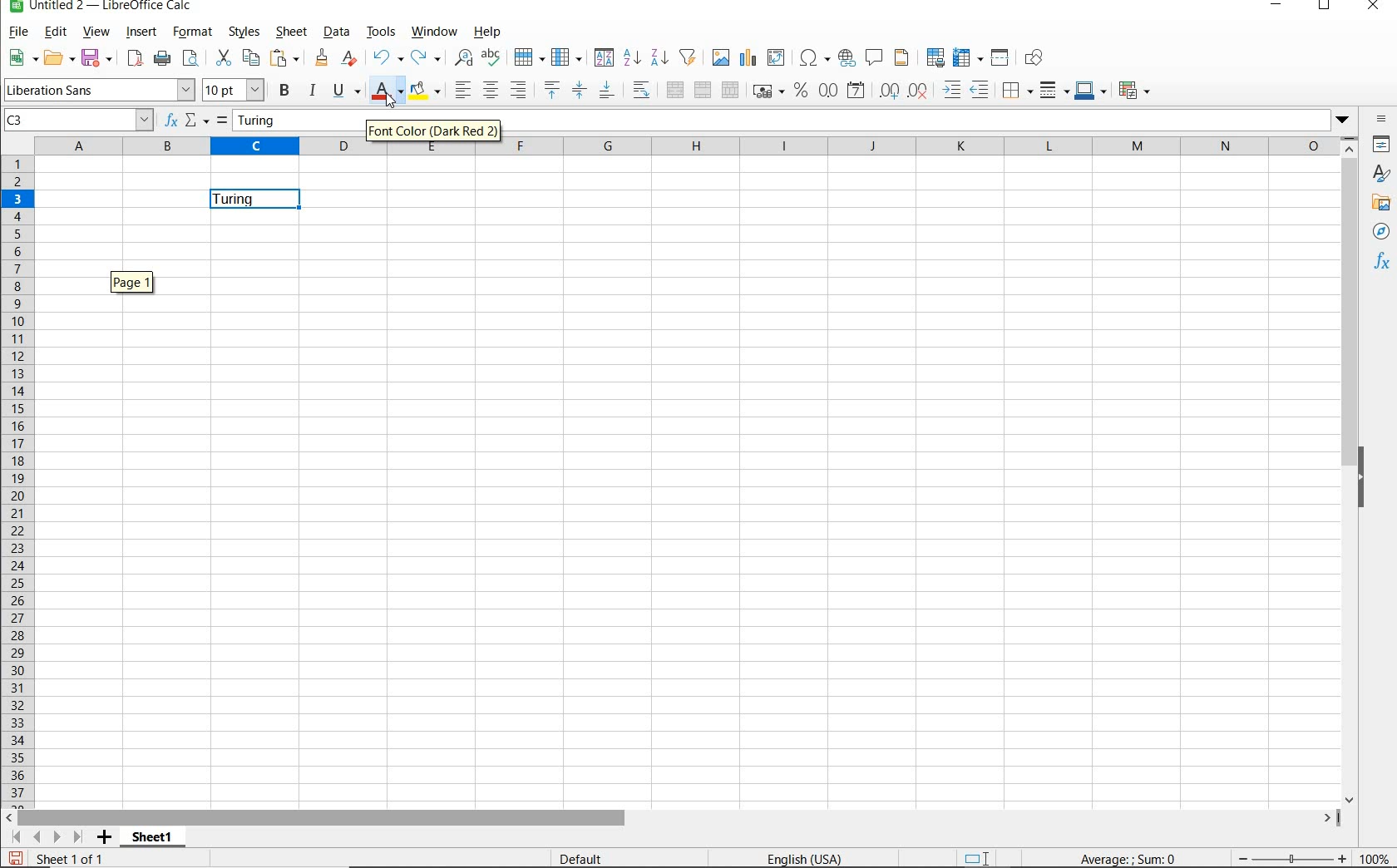 Image resolution: width=1397 pixels, height=868 pixels. What do you see at coordinates (44, 837) in the screenshot?
I see `SCROLL TO SHEET` at bounding box center [44, 837].